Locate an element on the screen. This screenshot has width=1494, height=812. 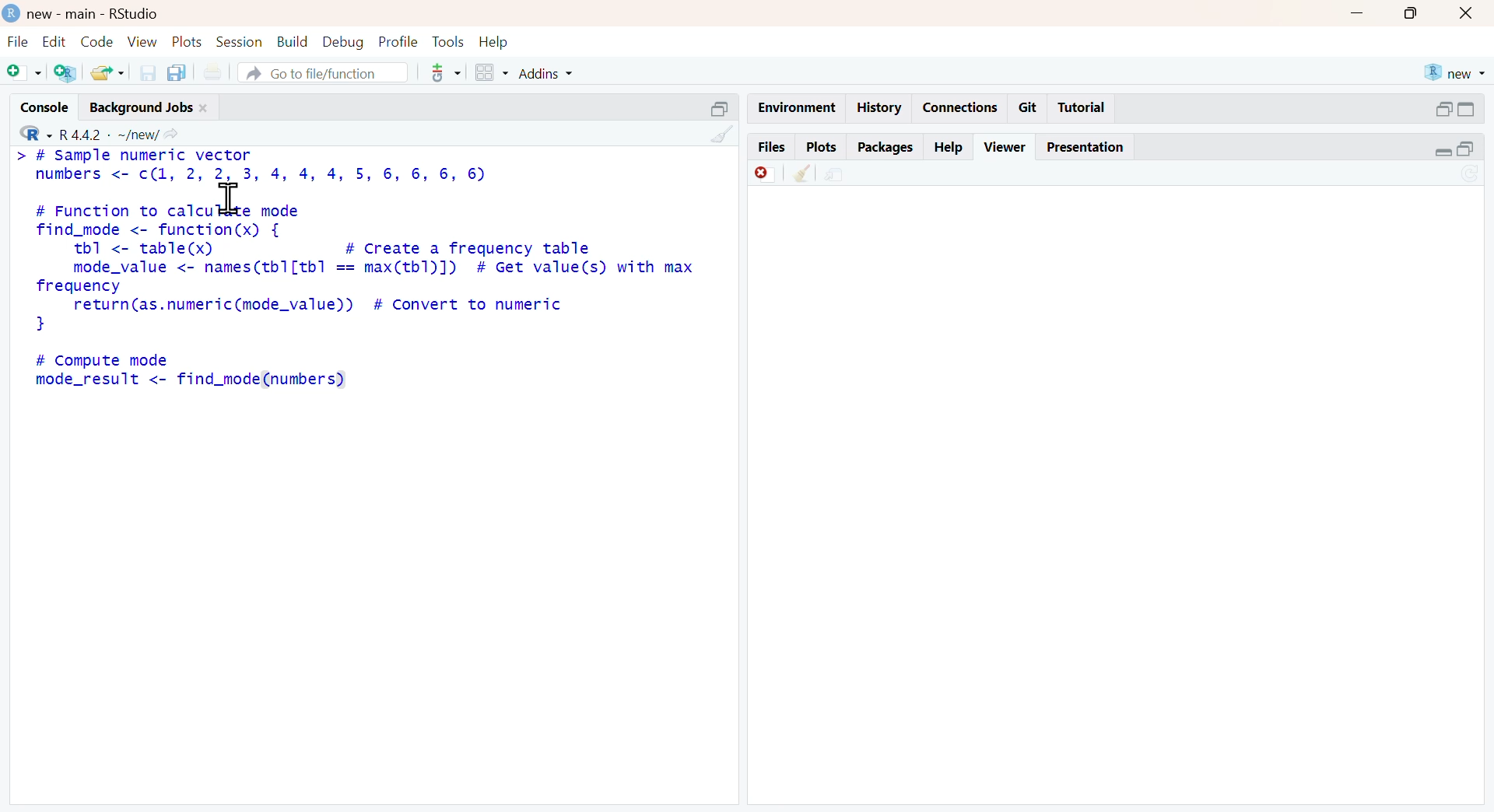
clean is located at coordinates (805, 173).